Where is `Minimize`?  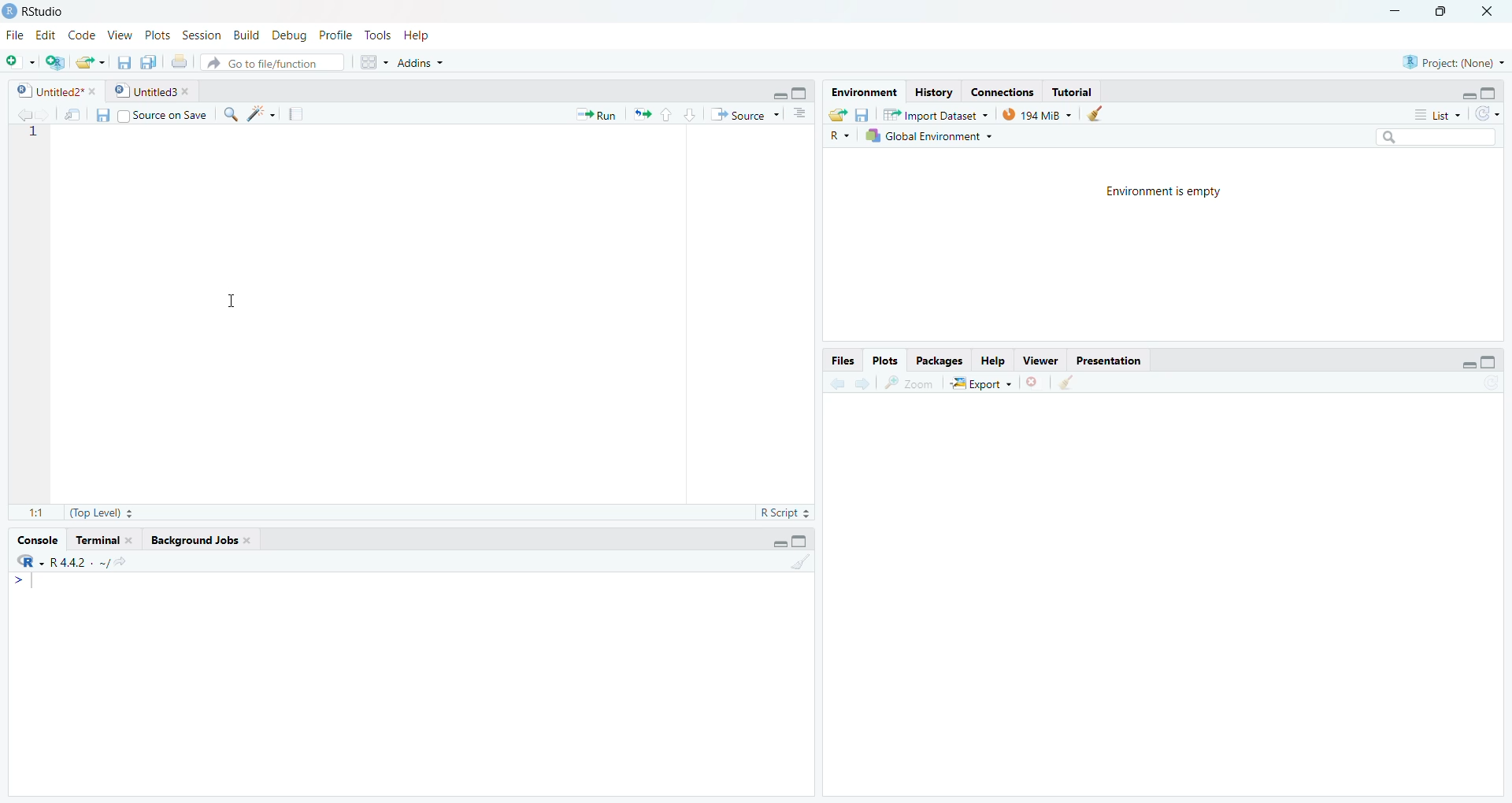
Minimize is located at coordinates (776, 543).